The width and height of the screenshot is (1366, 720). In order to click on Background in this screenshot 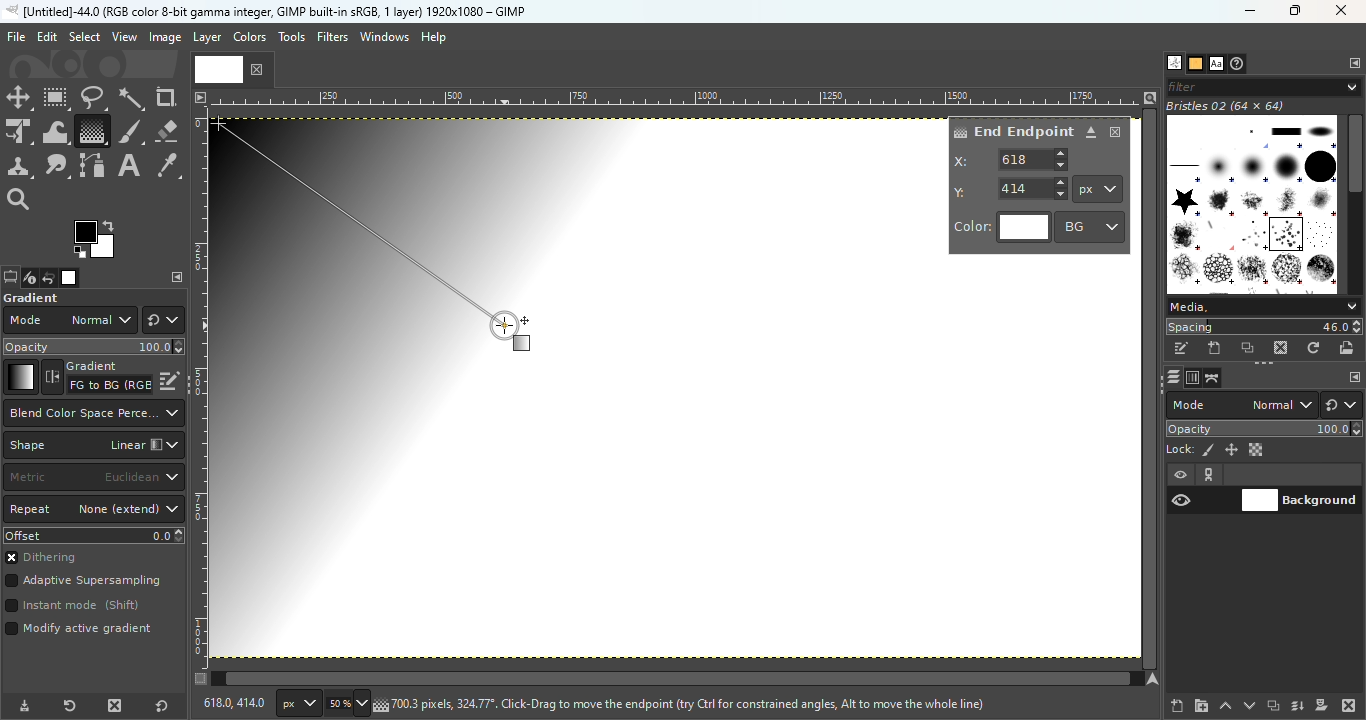, I will do `click(1300, 498)`.